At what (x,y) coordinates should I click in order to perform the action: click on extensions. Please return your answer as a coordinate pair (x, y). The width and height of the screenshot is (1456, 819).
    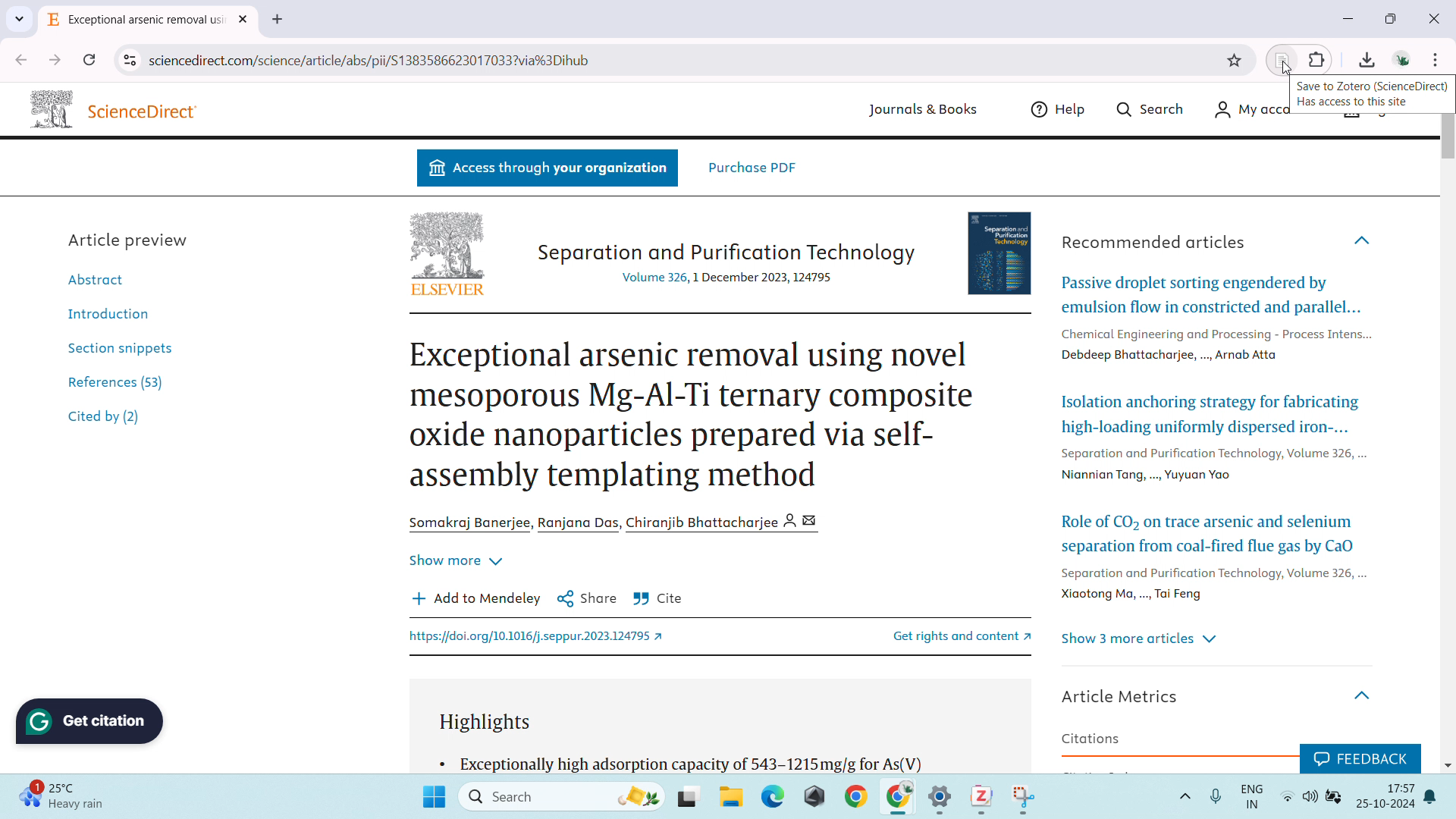
    Looking at the image, I should click on (1317, 58).